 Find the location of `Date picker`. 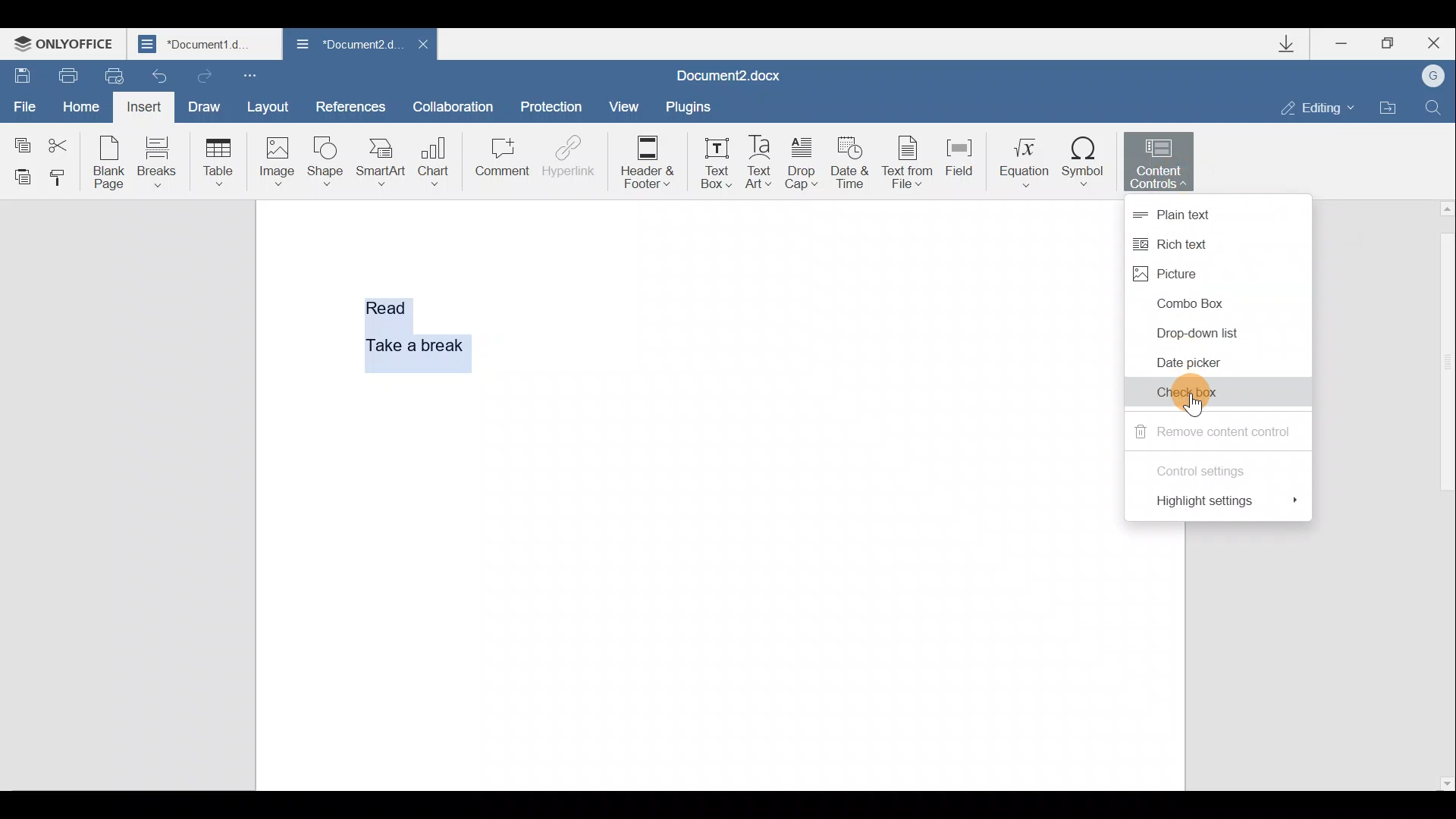

Date picker is located at coordinates (1197, 365).